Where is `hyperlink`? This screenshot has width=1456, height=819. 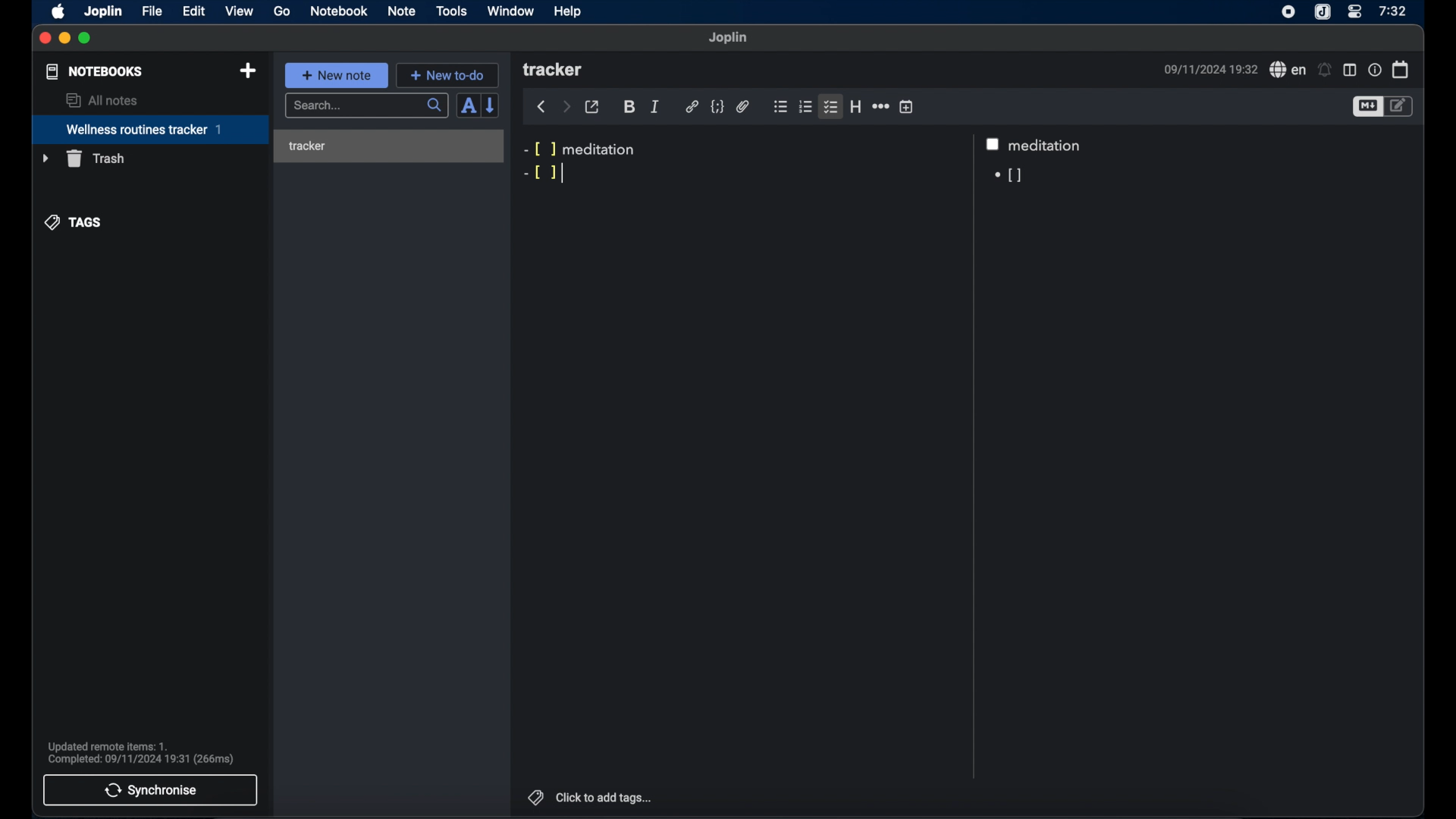
hyperlink is located at coordinates (692, 107).